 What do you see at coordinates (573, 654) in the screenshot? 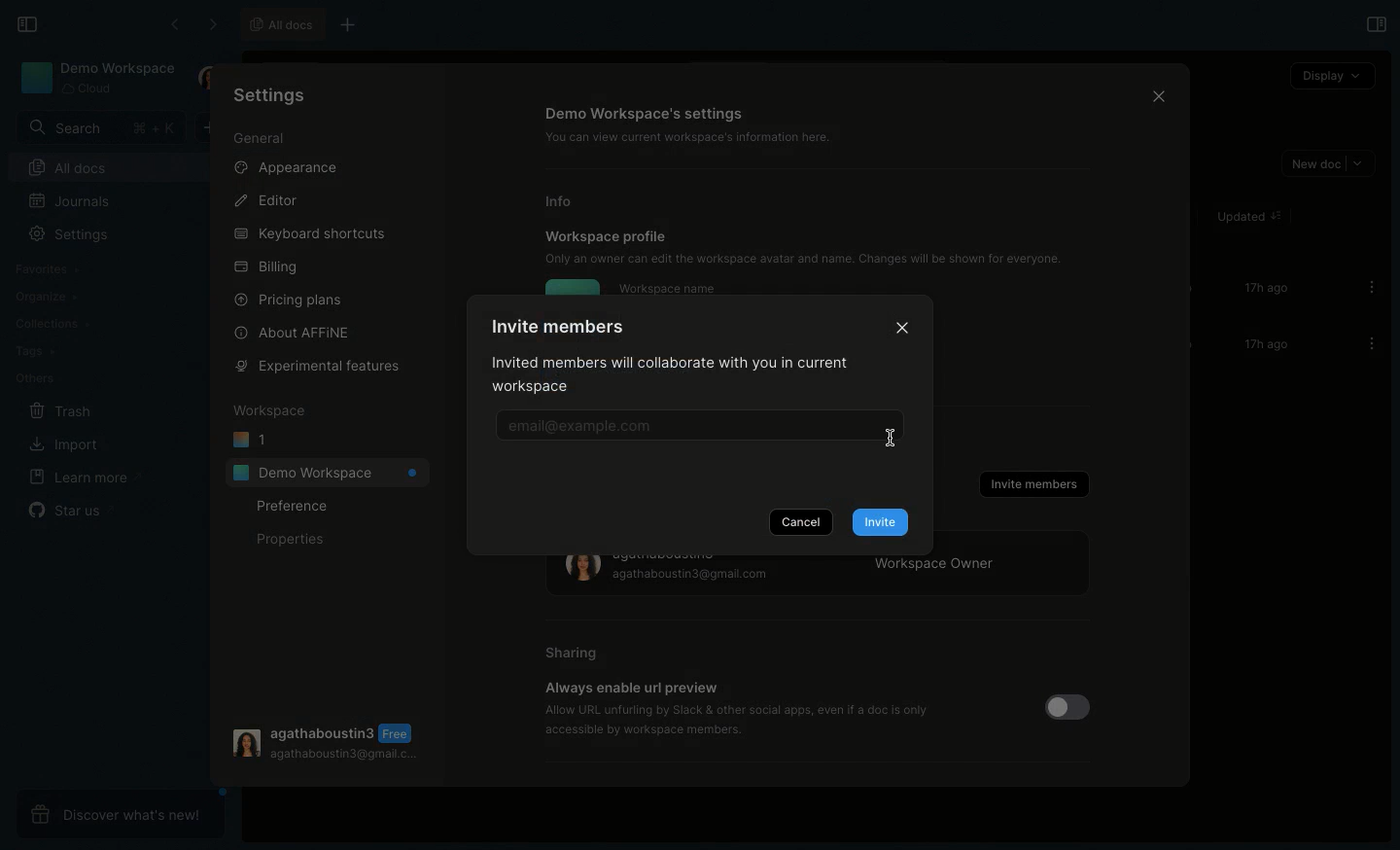
I see `Sharing` at bounding box center [573, 654].